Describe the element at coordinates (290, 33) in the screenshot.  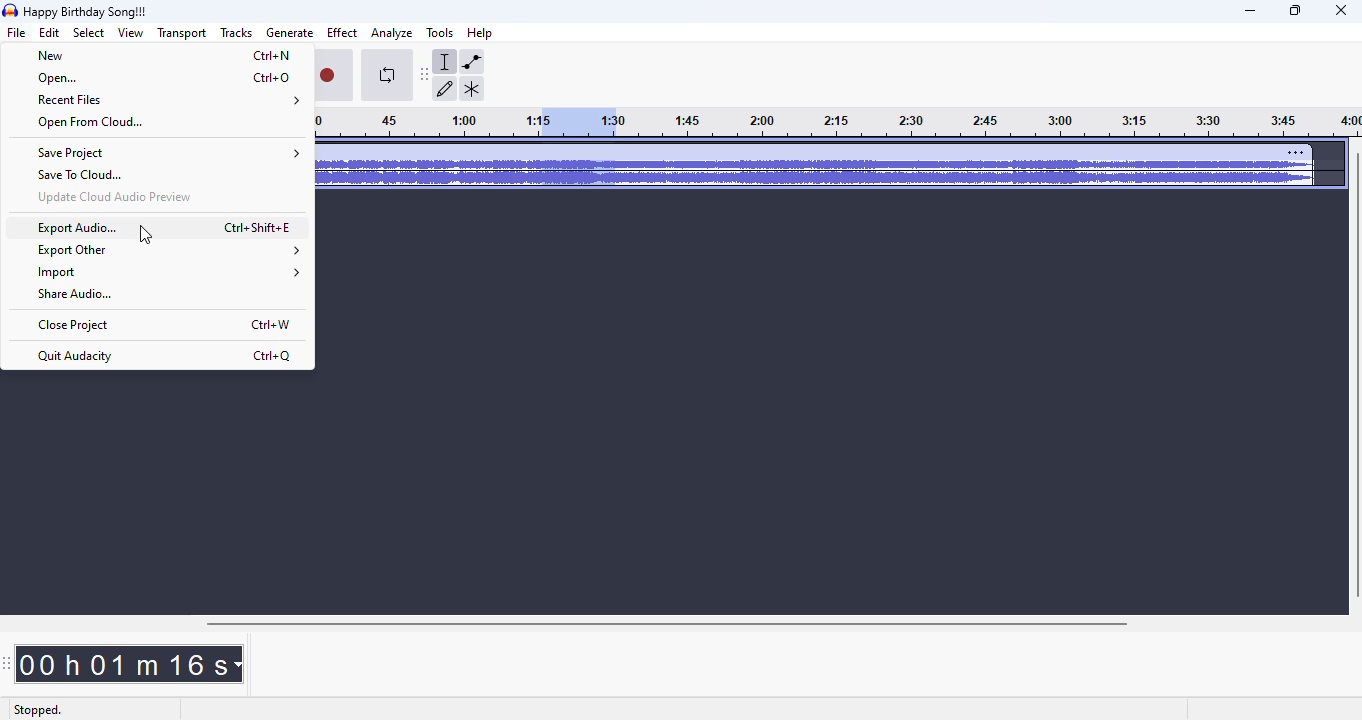
I see `generate` at that location.